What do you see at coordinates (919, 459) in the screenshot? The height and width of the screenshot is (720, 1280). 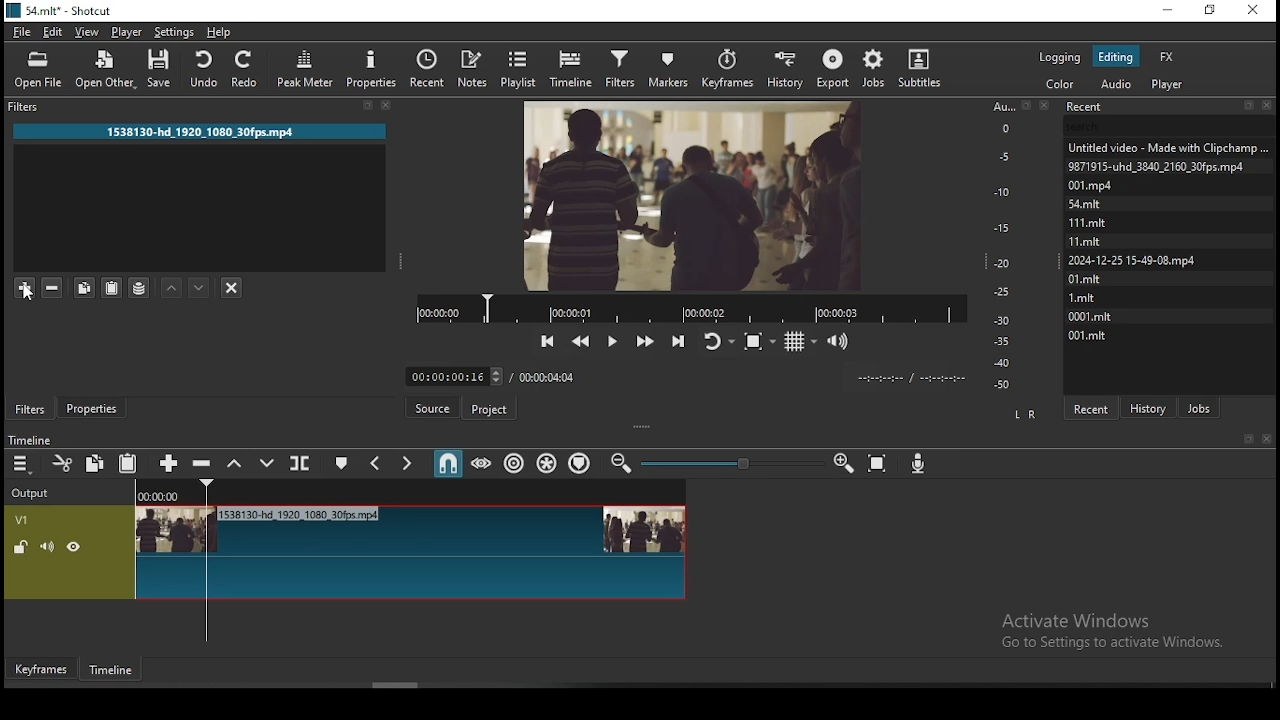 I see `record audio` at bounding box center [919, 459].